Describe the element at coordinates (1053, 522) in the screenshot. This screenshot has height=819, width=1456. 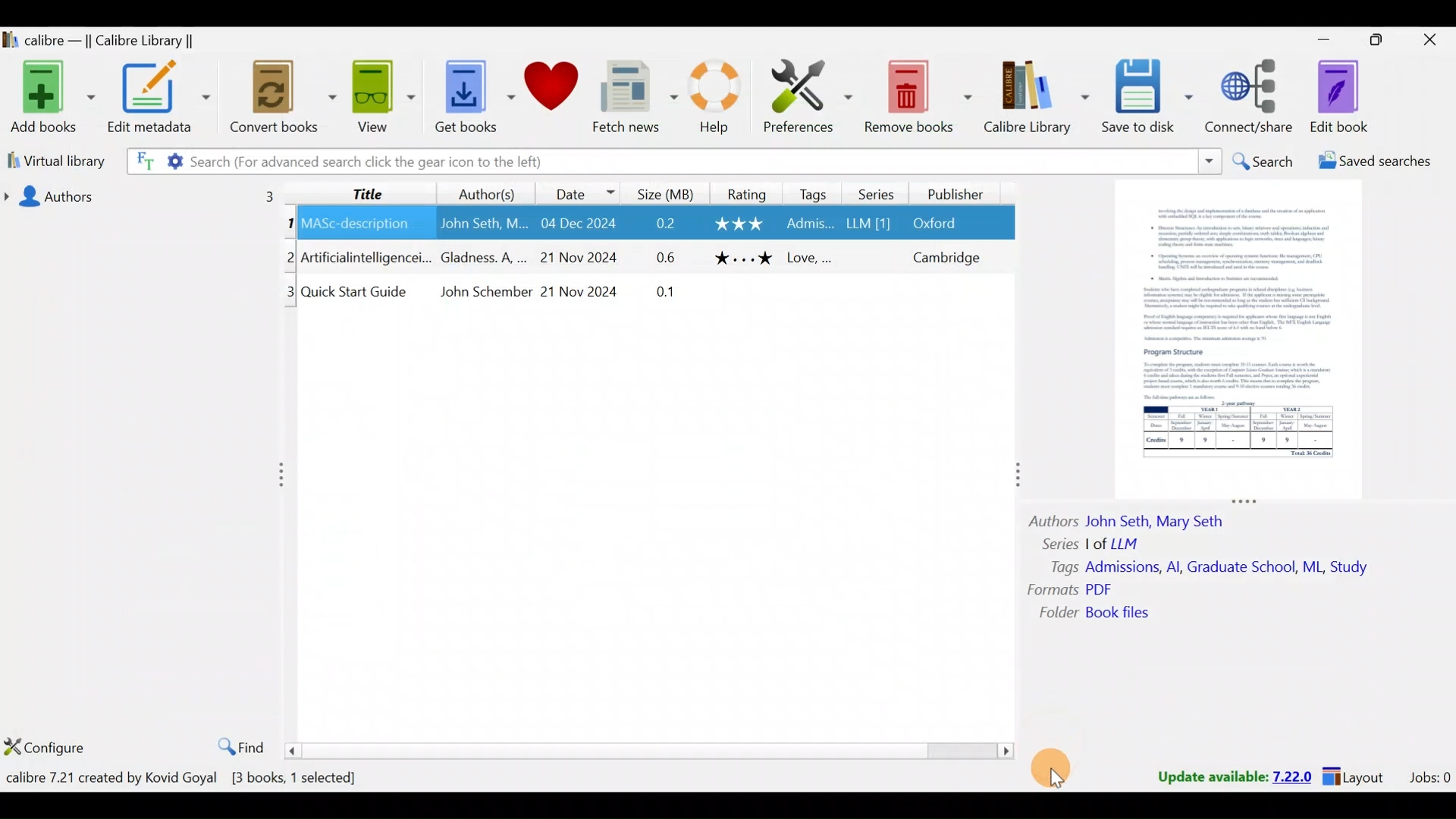
I see `` at that location.